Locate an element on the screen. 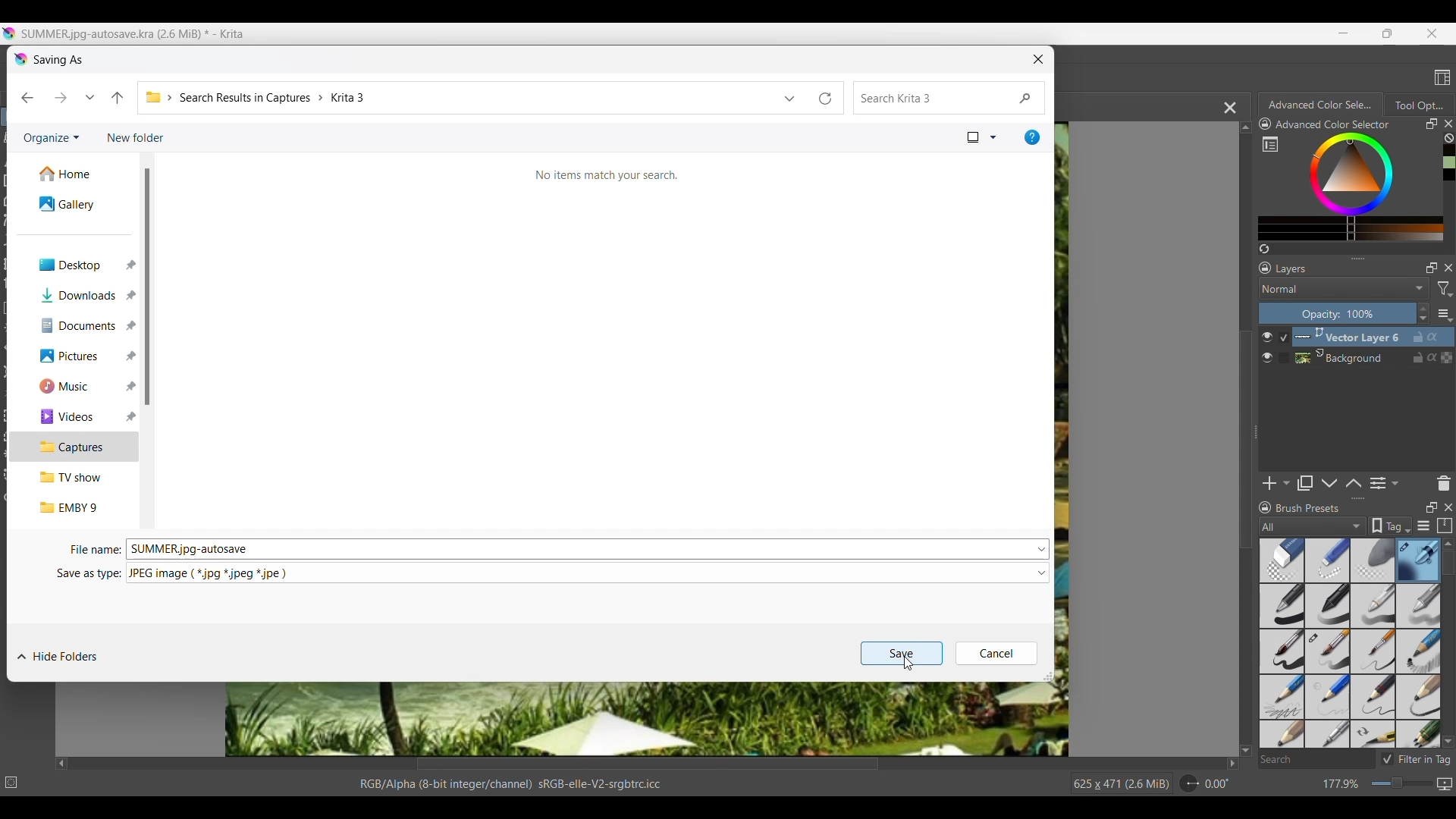  Create new folder is located at coordinates (136, 137).